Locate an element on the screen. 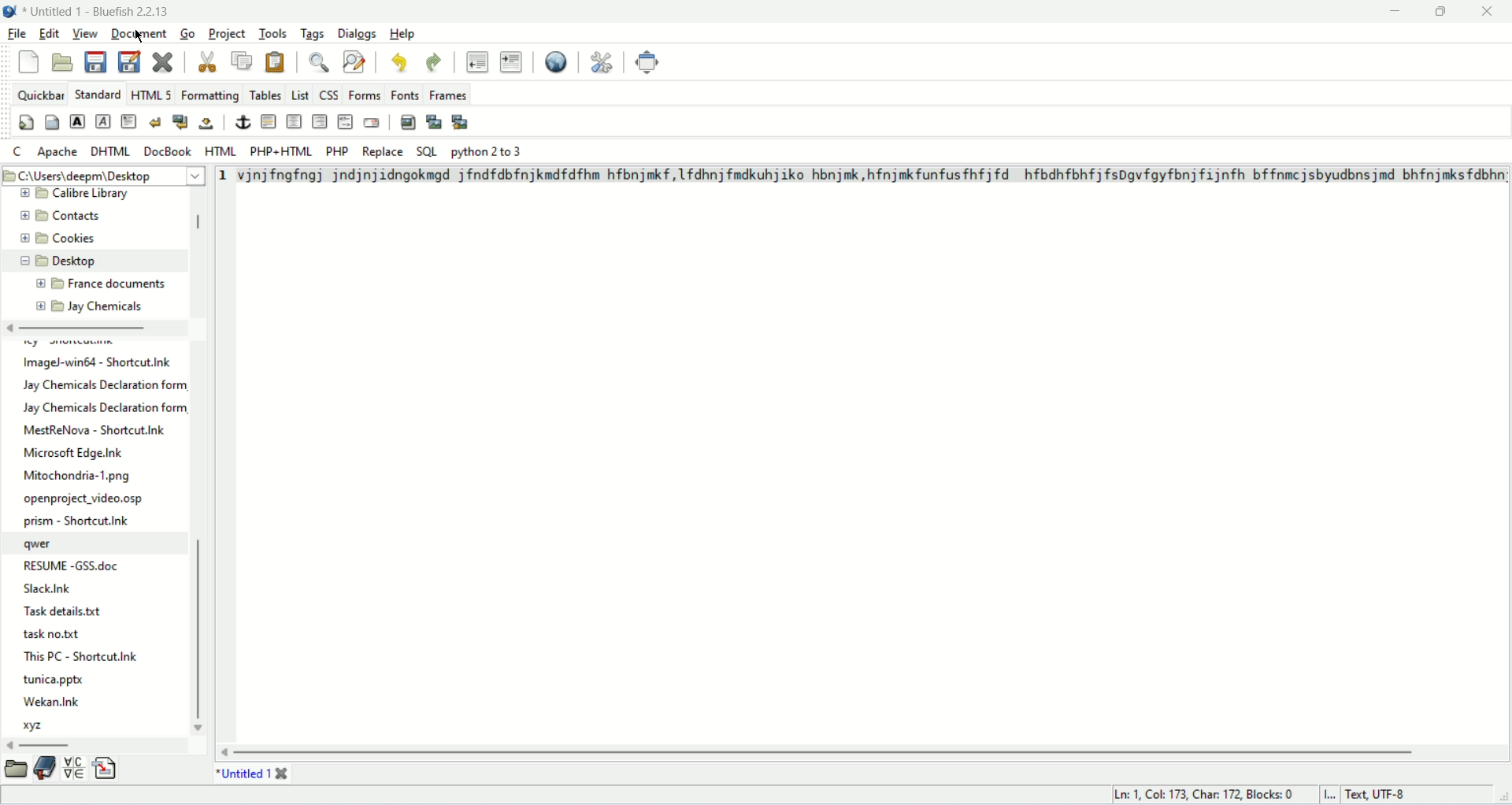 Image resolution: width=1512 pixels, height=805 pixels. fullscreen is located at coordinates (649, 61).